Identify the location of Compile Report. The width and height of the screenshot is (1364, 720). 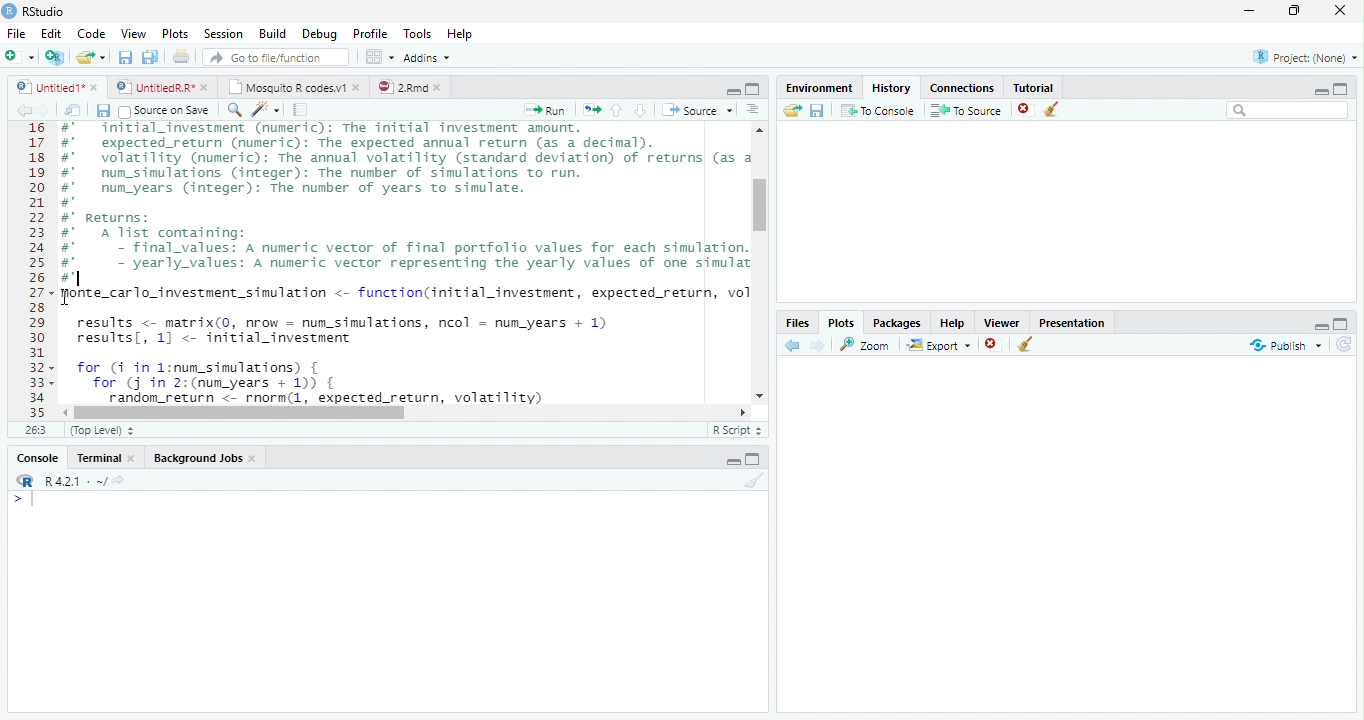
(303, 110).